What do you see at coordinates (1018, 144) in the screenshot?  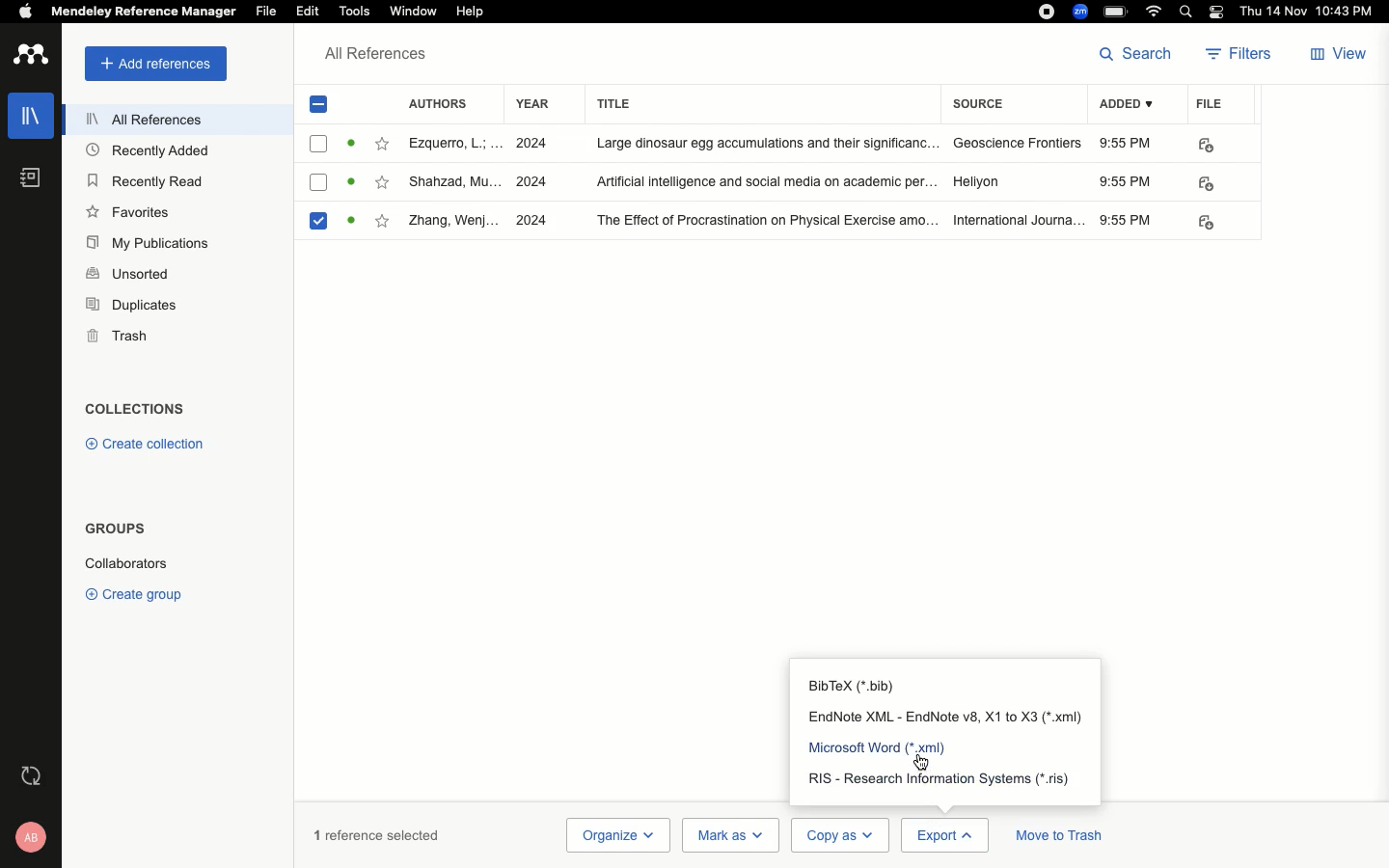 I see `Geoscience frontiers` at bounding box center [1018, 144].